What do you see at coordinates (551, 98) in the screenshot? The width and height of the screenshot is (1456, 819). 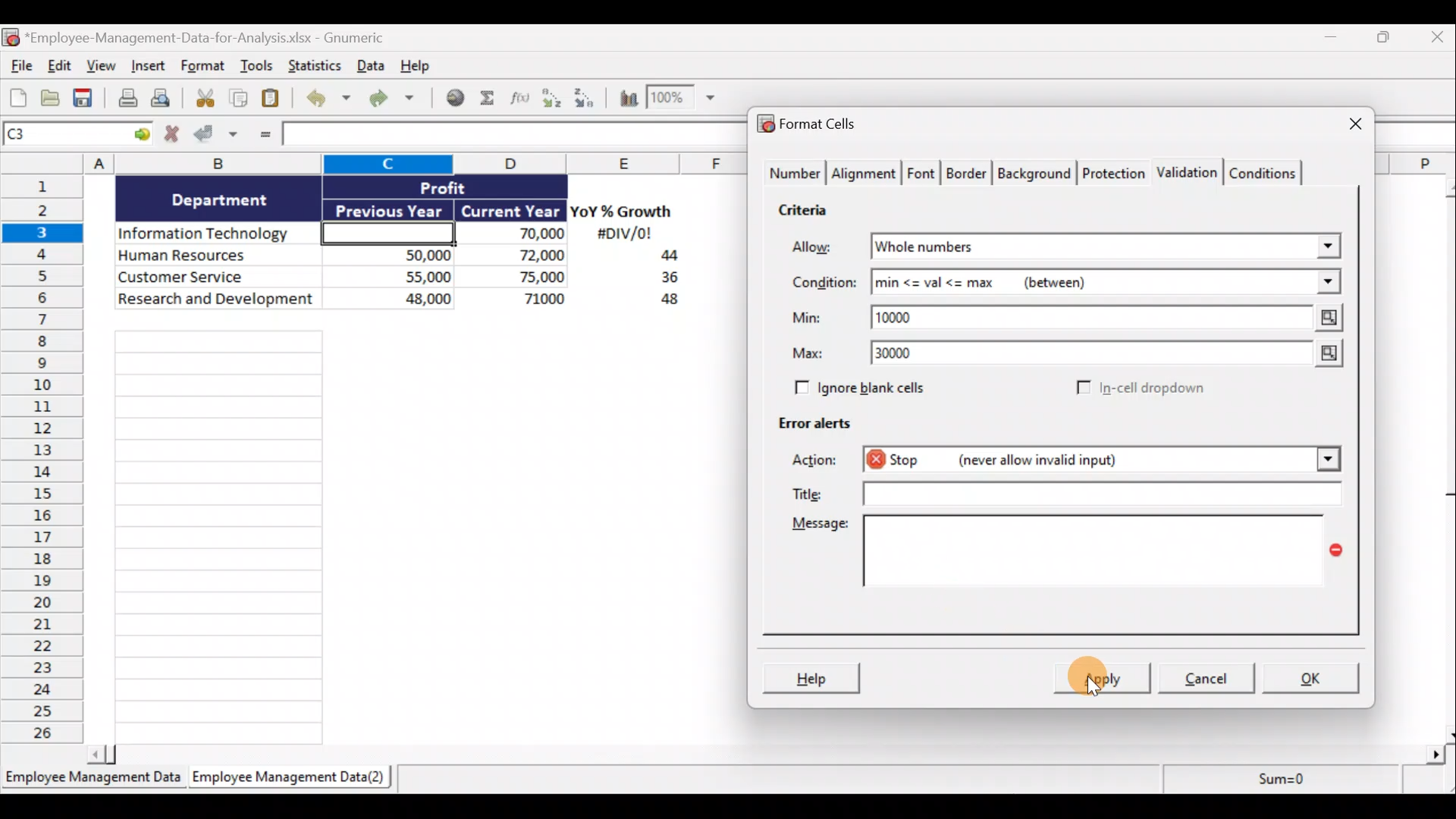 I see `Sort ascending` at bounding box center [551, 98].